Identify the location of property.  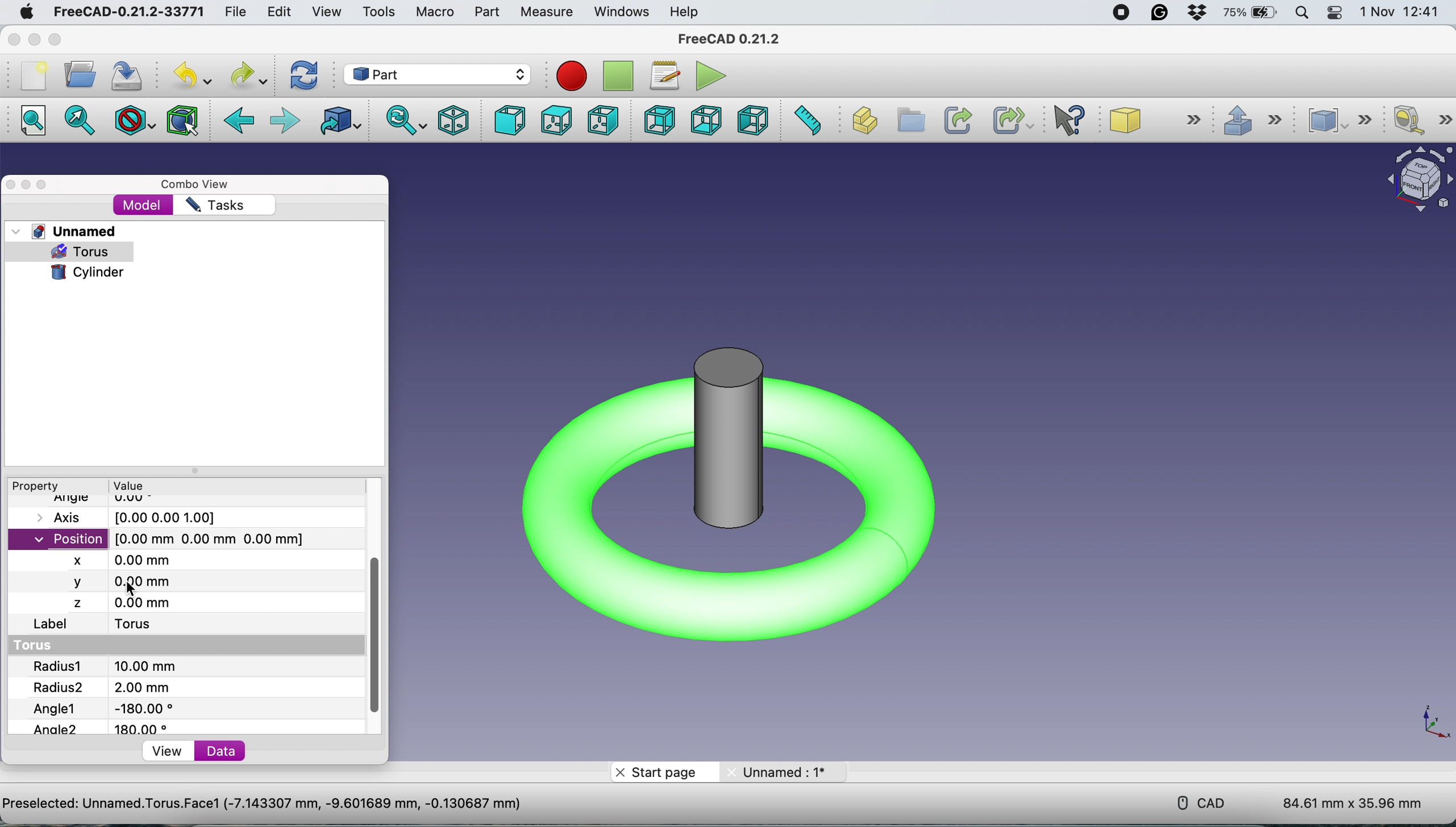
(40, 486).